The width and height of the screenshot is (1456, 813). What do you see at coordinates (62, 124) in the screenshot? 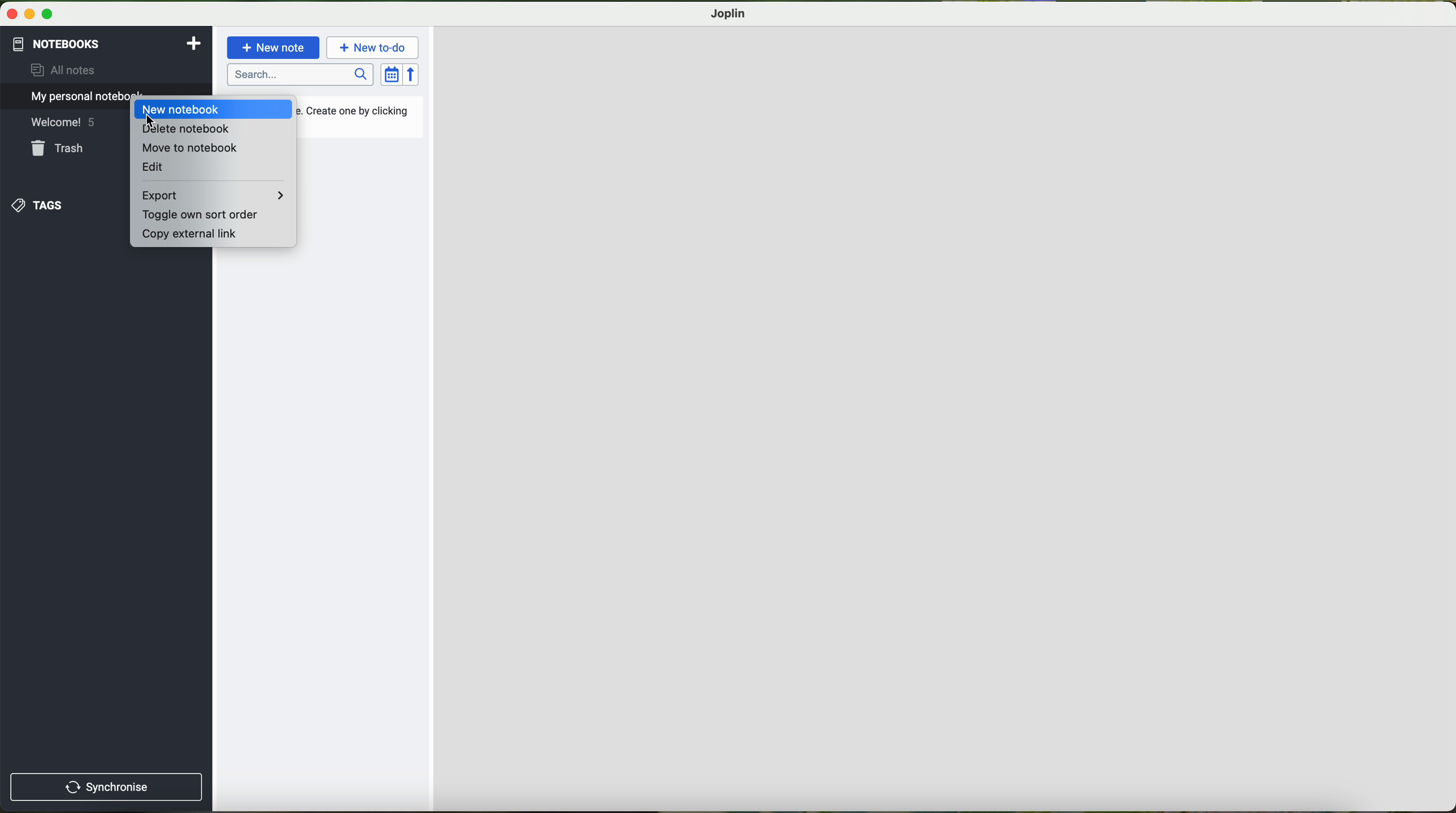
I see `welcome! 5` at bounding box center [62, 124].